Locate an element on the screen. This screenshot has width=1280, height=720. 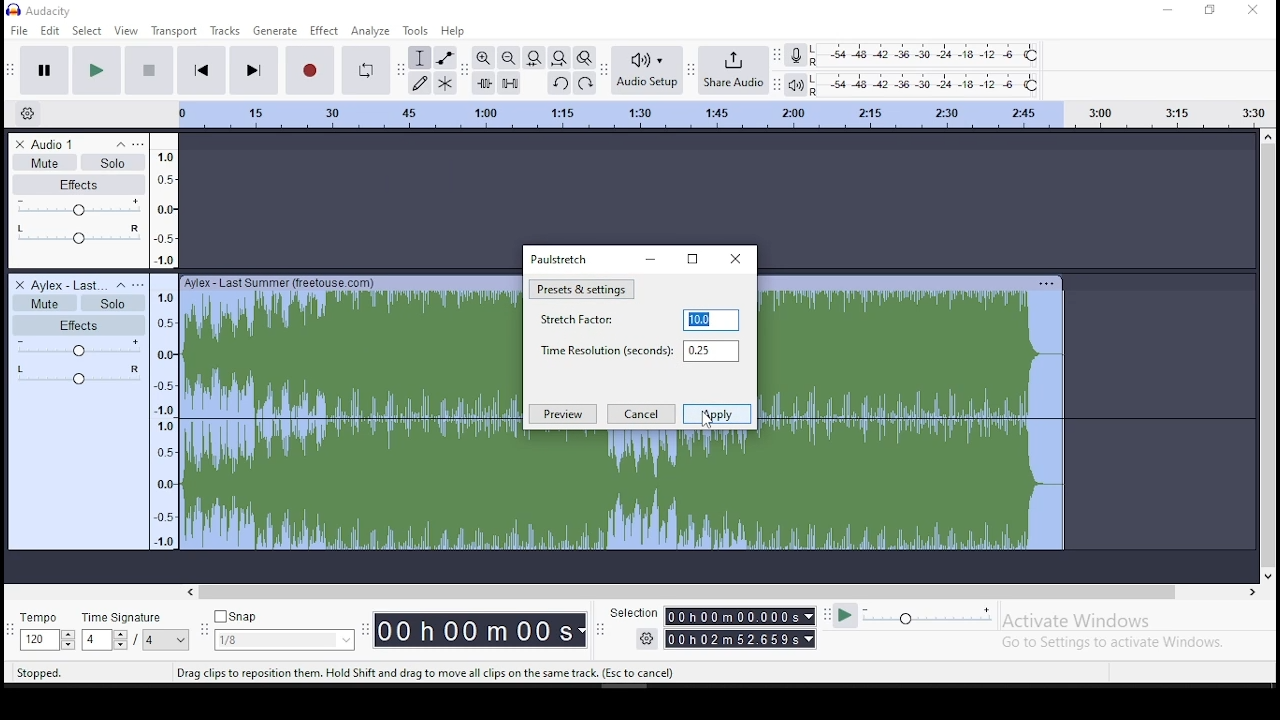
draw tool is located at coordinates (417, 82).